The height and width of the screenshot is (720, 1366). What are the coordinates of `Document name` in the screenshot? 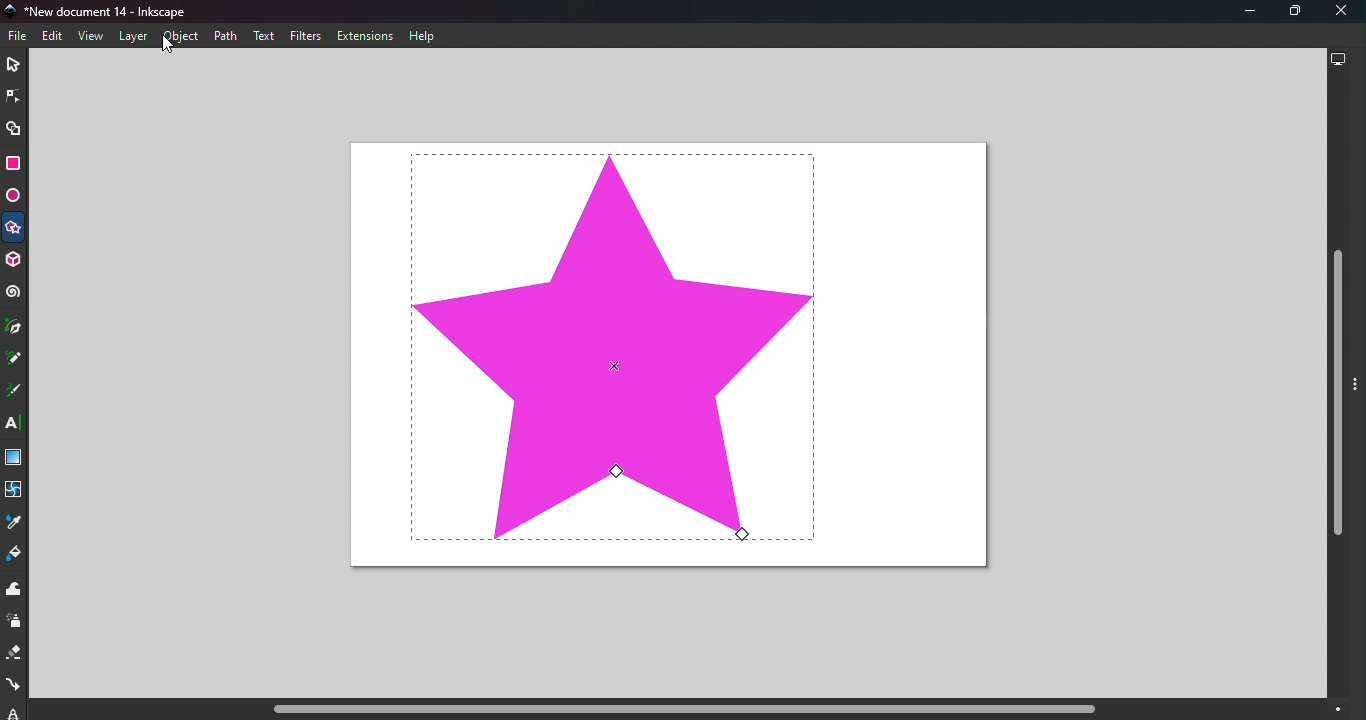 It's located at (104, 11).